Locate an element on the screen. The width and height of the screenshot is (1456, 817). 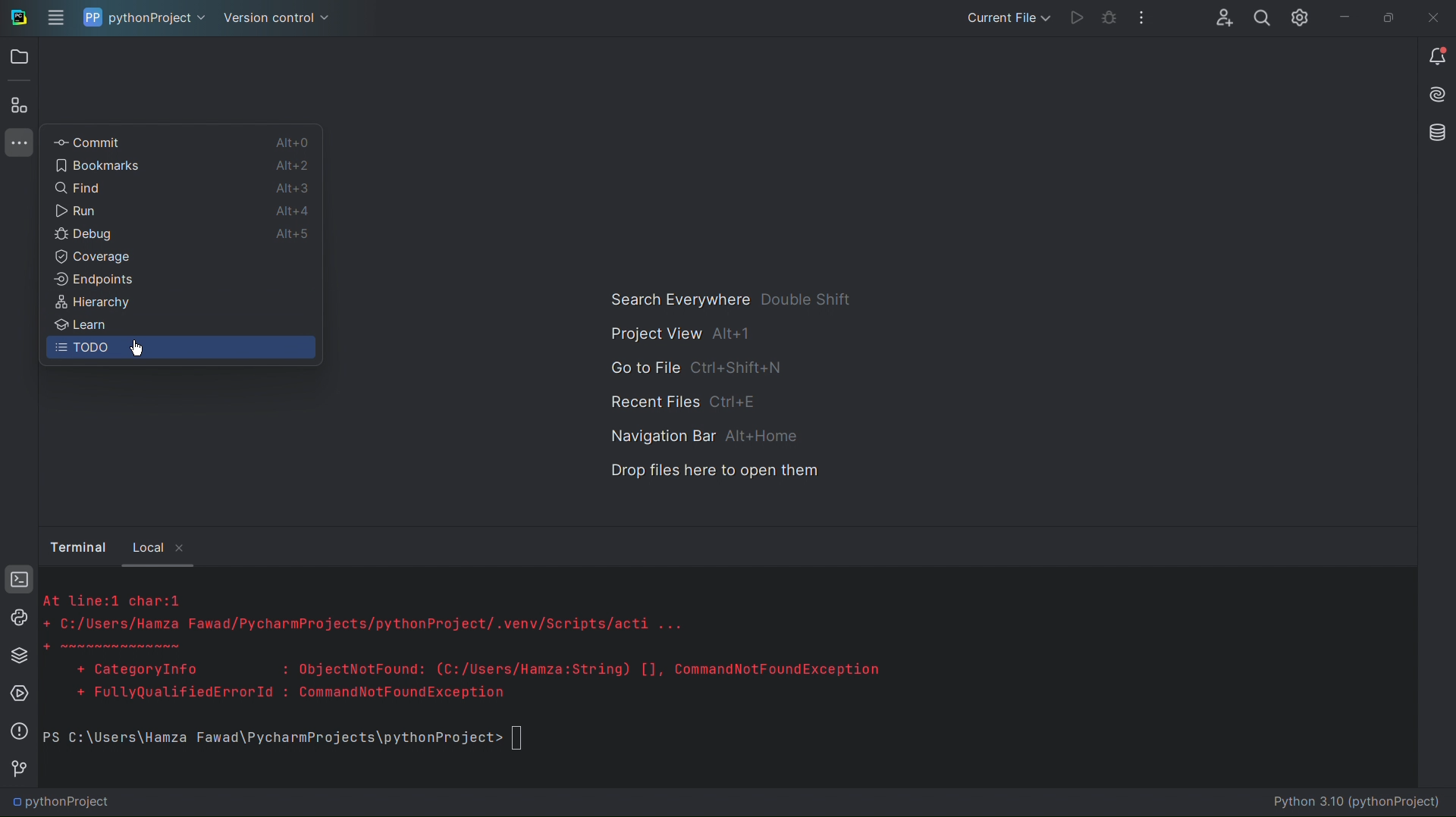
Alt+0
Alt+2
Alt+3
Alt+4
Alt+5 is located at coordinates (292, 191).